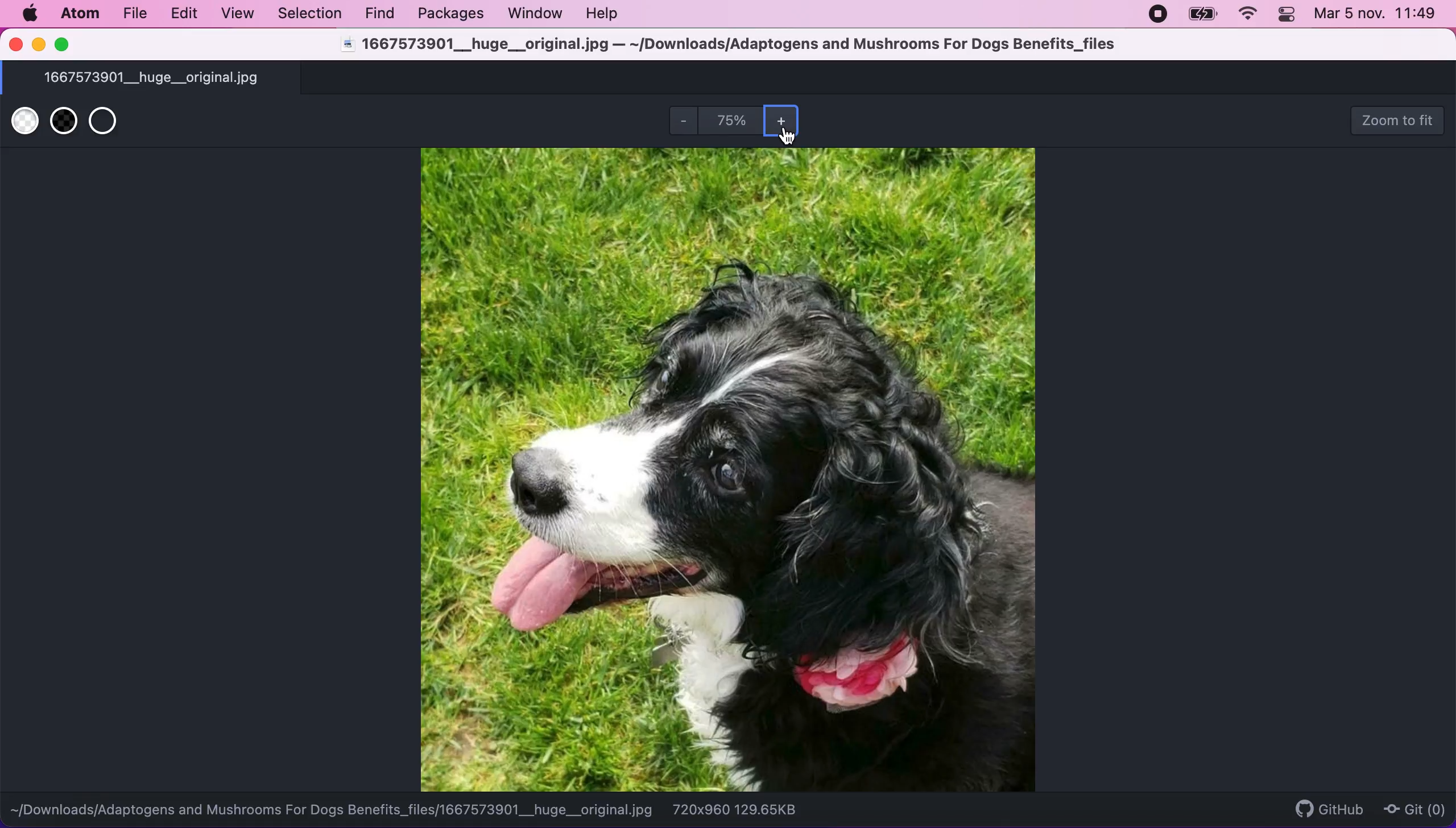 The image size is (1456, 828). I want to click on panel control, so click(1289, 16).